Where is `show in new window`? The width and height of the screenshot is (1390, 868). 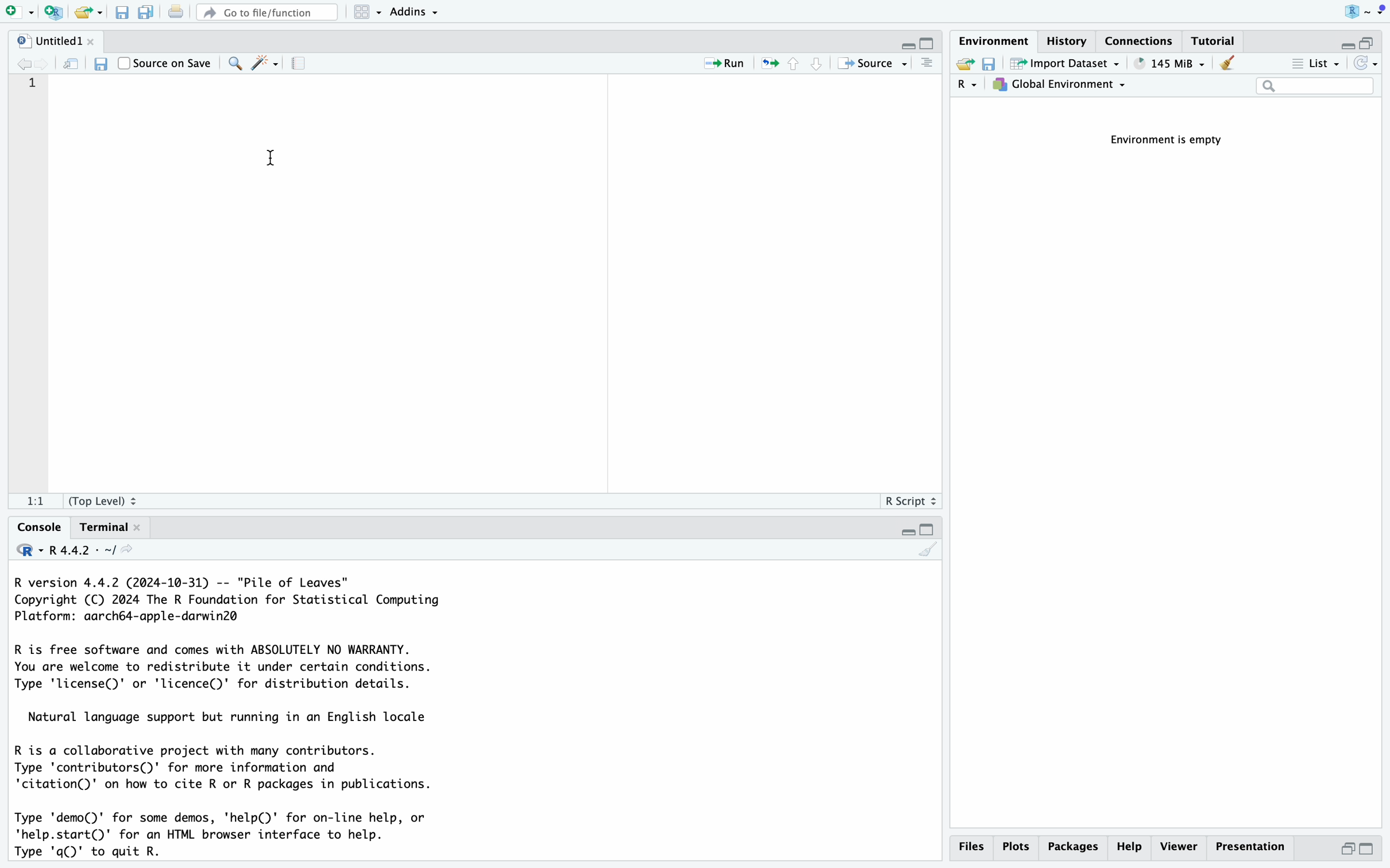 show in new window is located at coordinates (72, 64).